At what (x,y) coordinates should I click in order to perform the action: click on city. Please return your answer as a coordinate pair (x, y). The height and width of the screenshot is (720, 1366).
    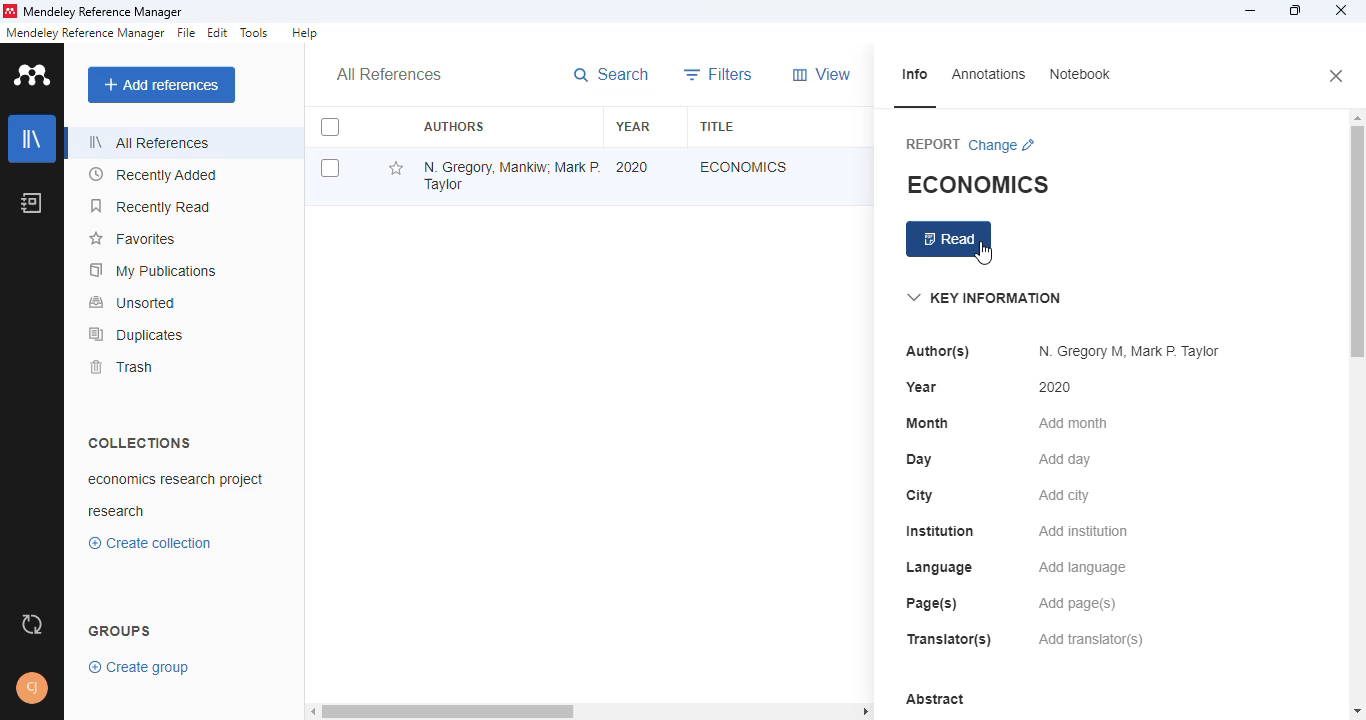
    Looking at the image, I should click on (919, 496).